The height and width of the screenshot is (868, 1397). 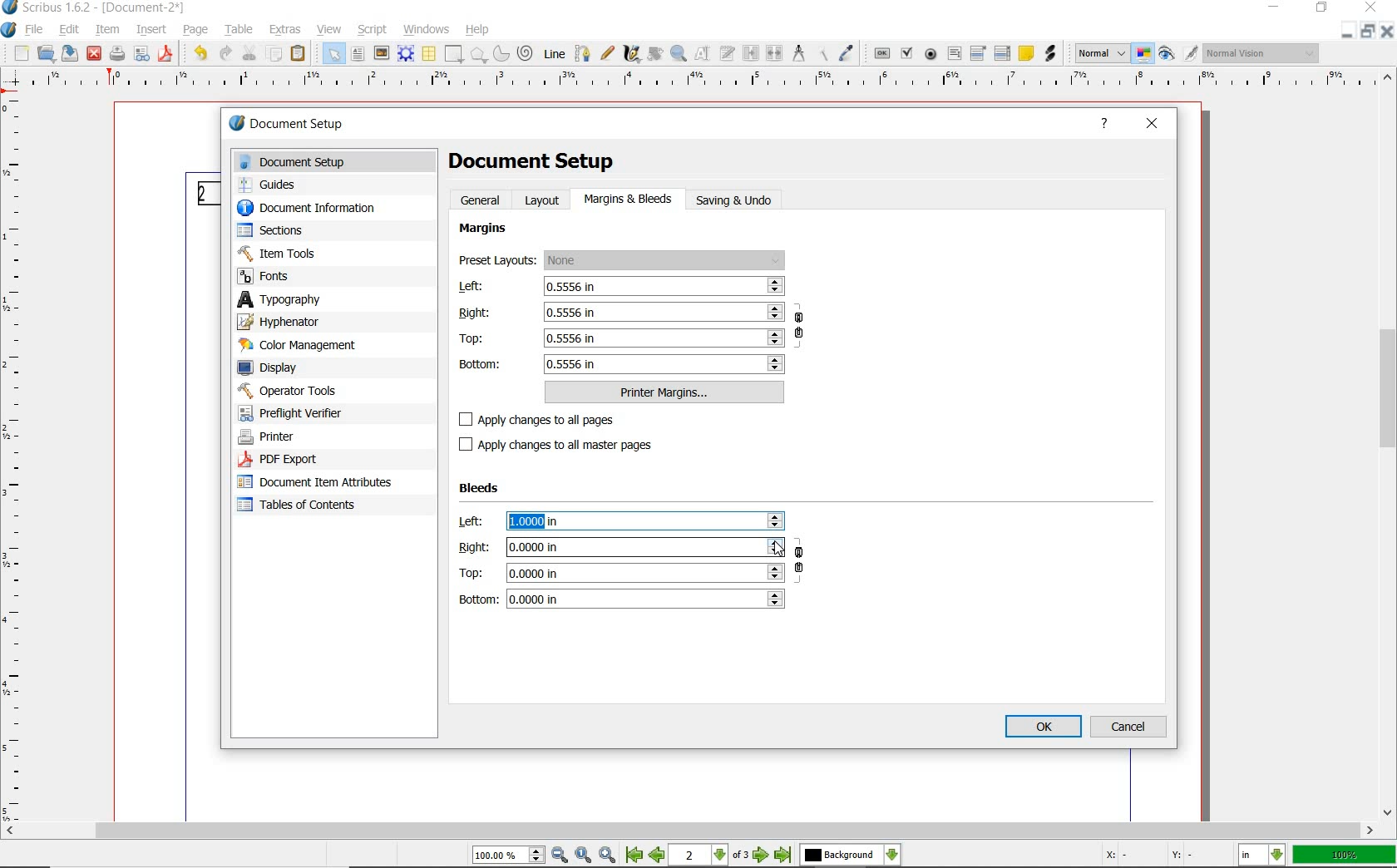 I want to click on copy, so click(x=274, y=55).